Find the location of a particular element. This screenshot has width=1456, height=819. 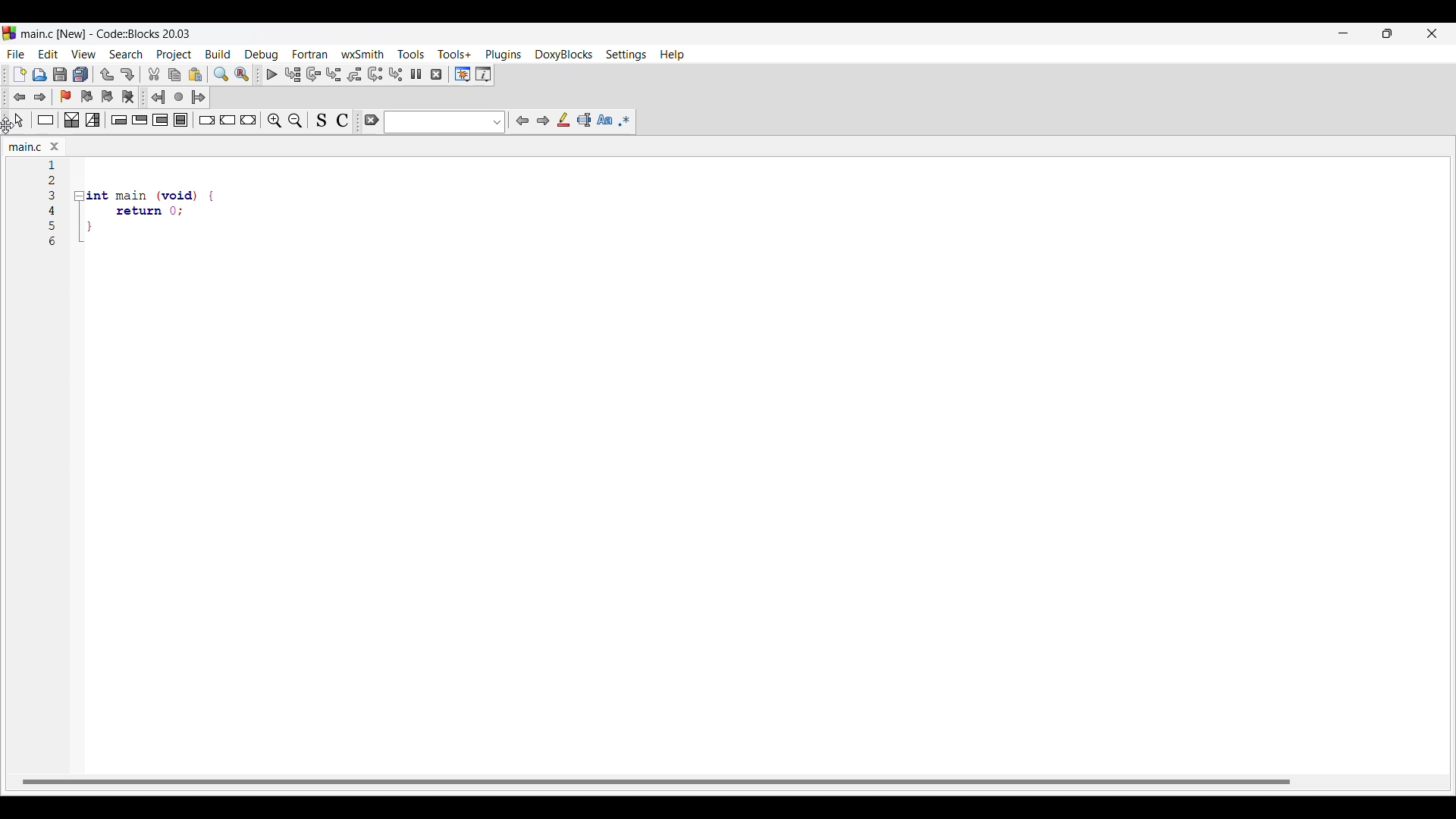

Next is located at coordinates (543, 121).